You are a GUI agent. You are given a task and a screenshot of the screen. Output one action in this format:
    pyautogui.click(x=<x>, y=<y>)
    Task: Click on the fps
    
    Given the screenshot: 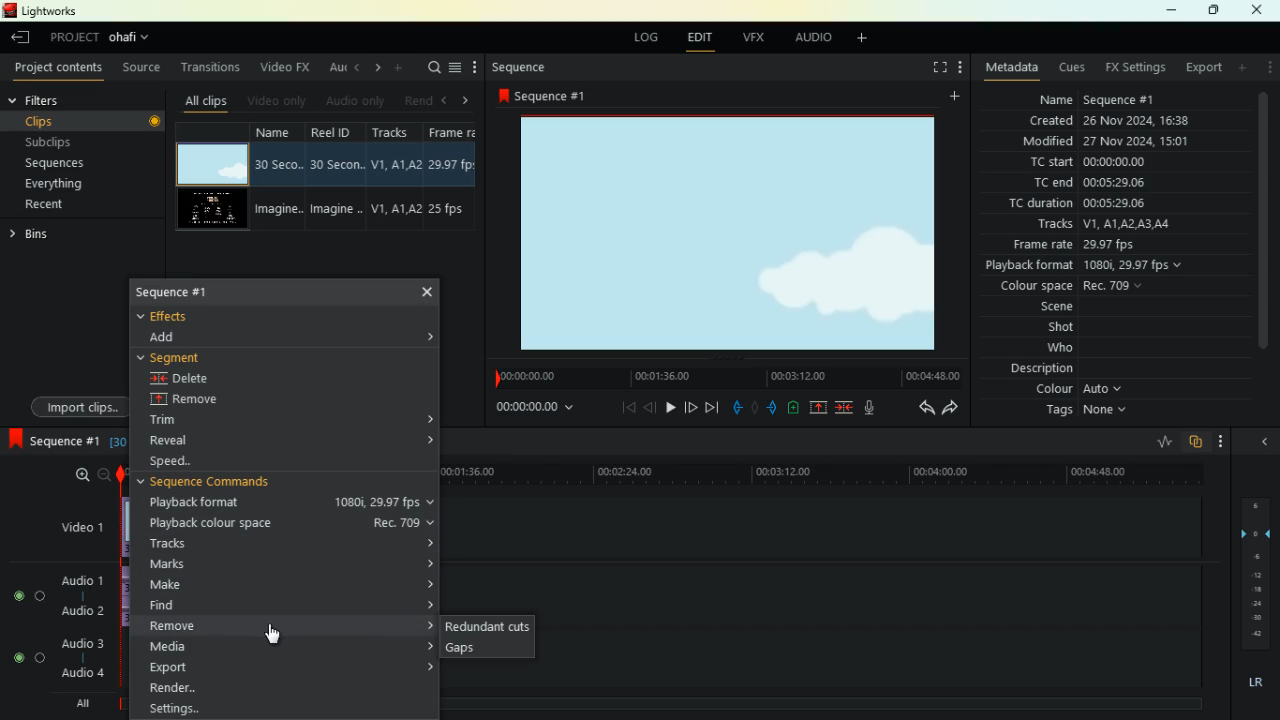 What is the action you would take?
    pyautogui.click(x=458, y=176)
    